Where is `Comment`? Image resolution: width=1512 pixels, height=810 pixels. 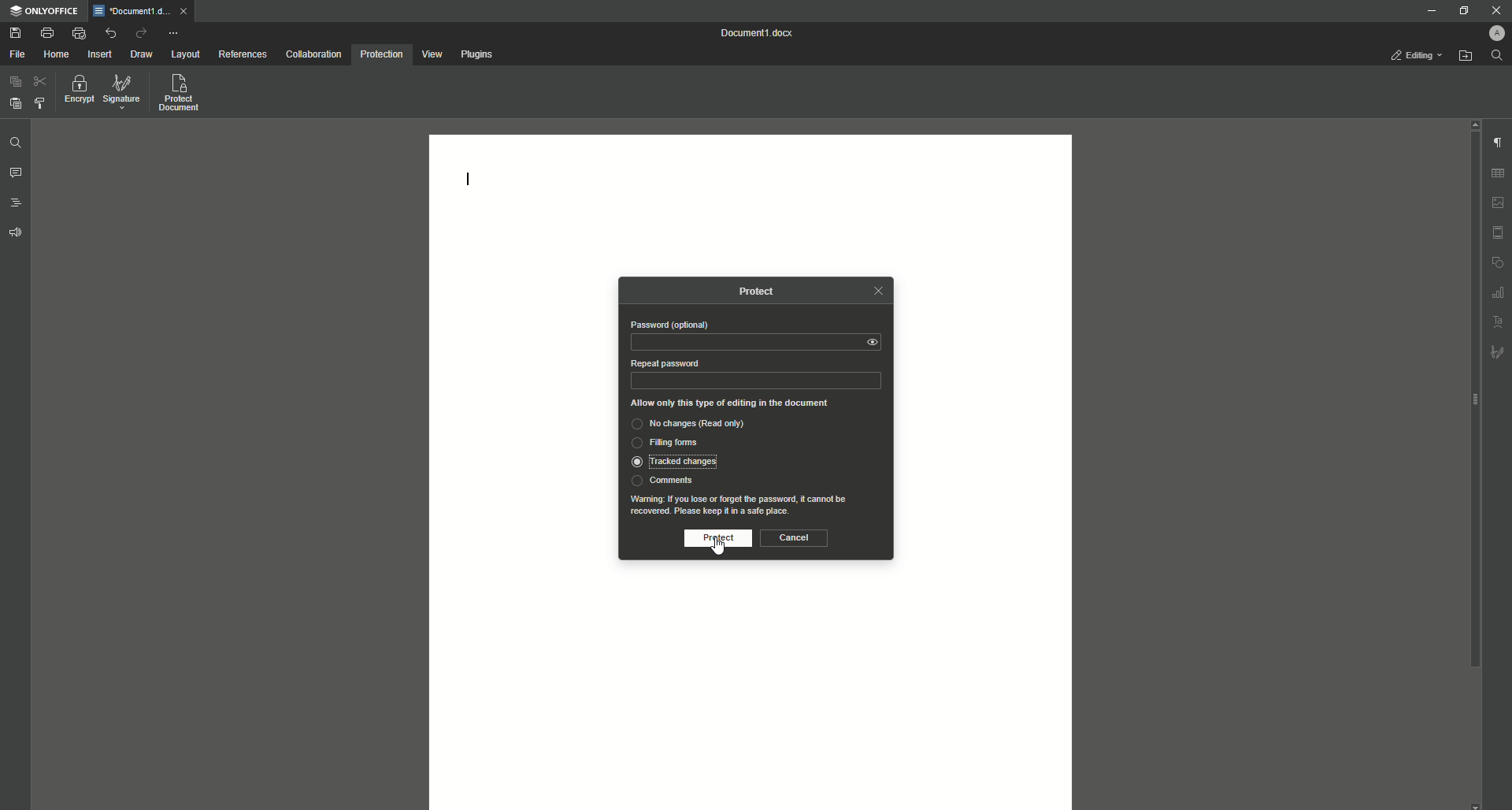
Comment is located at coordinates (17, 174).